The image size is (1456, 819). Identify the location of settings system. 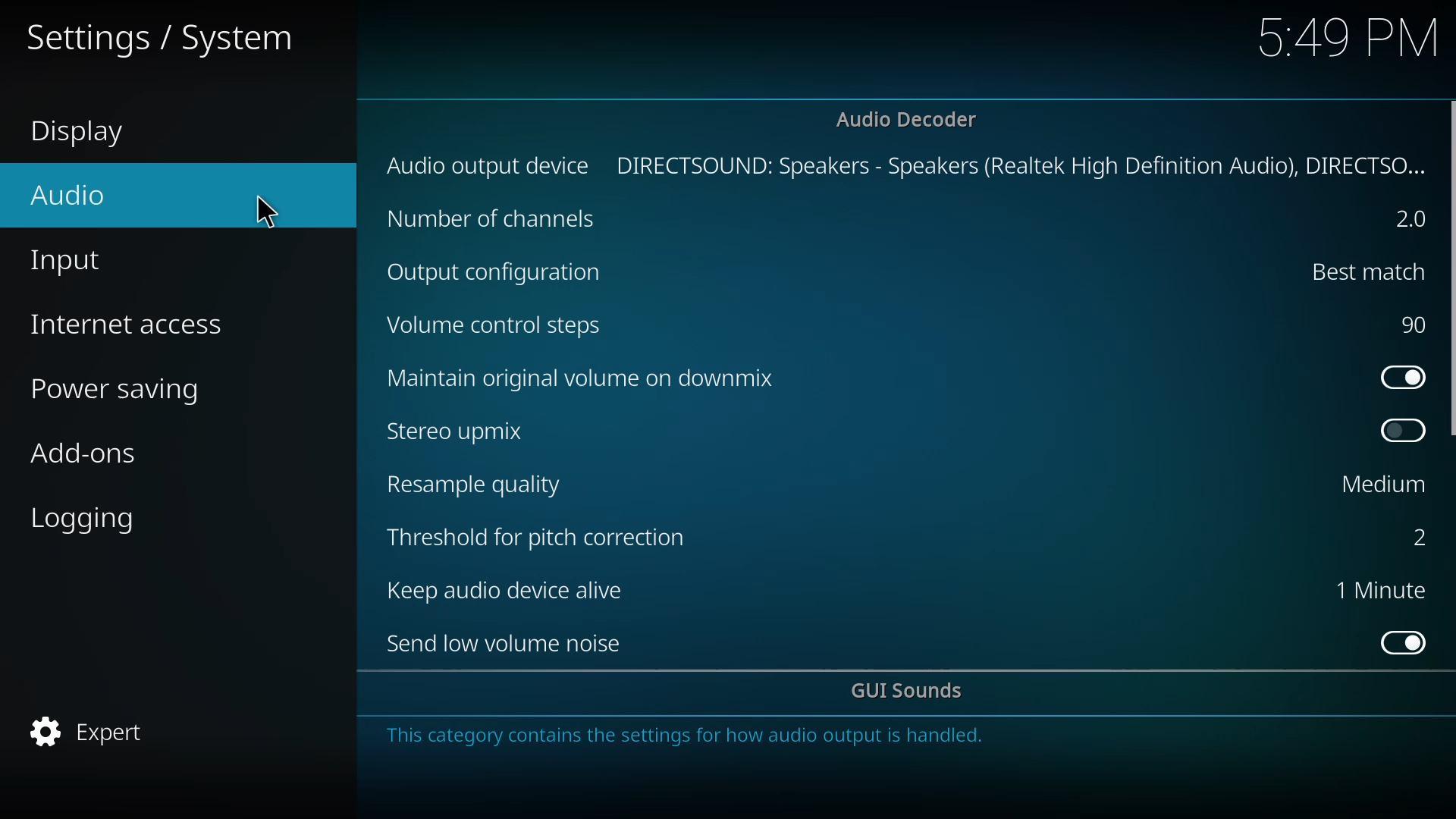
(171, 35).